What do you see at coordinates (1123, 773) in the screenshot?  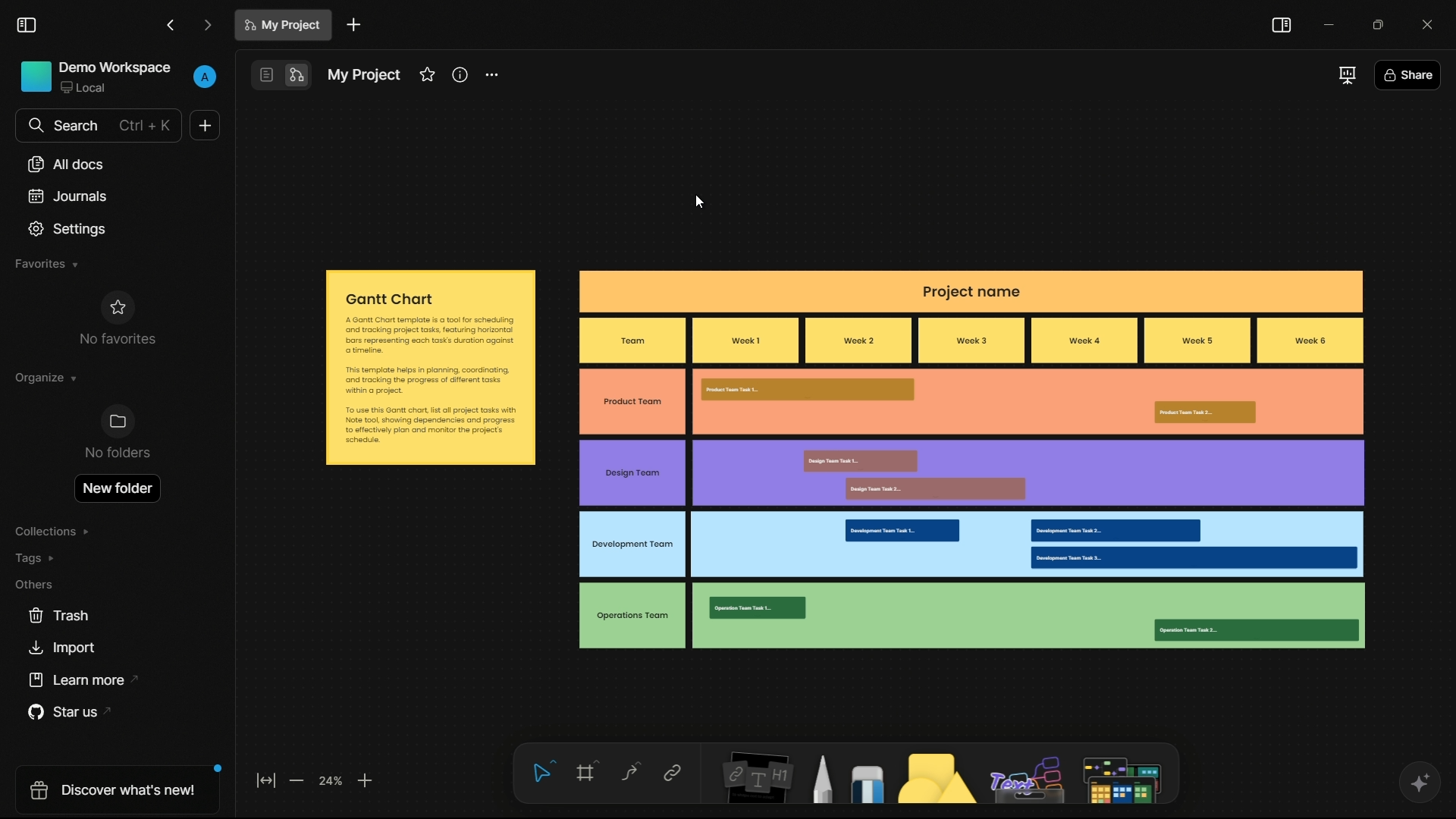 I see `more tools` at bounding box center [1123, 773].